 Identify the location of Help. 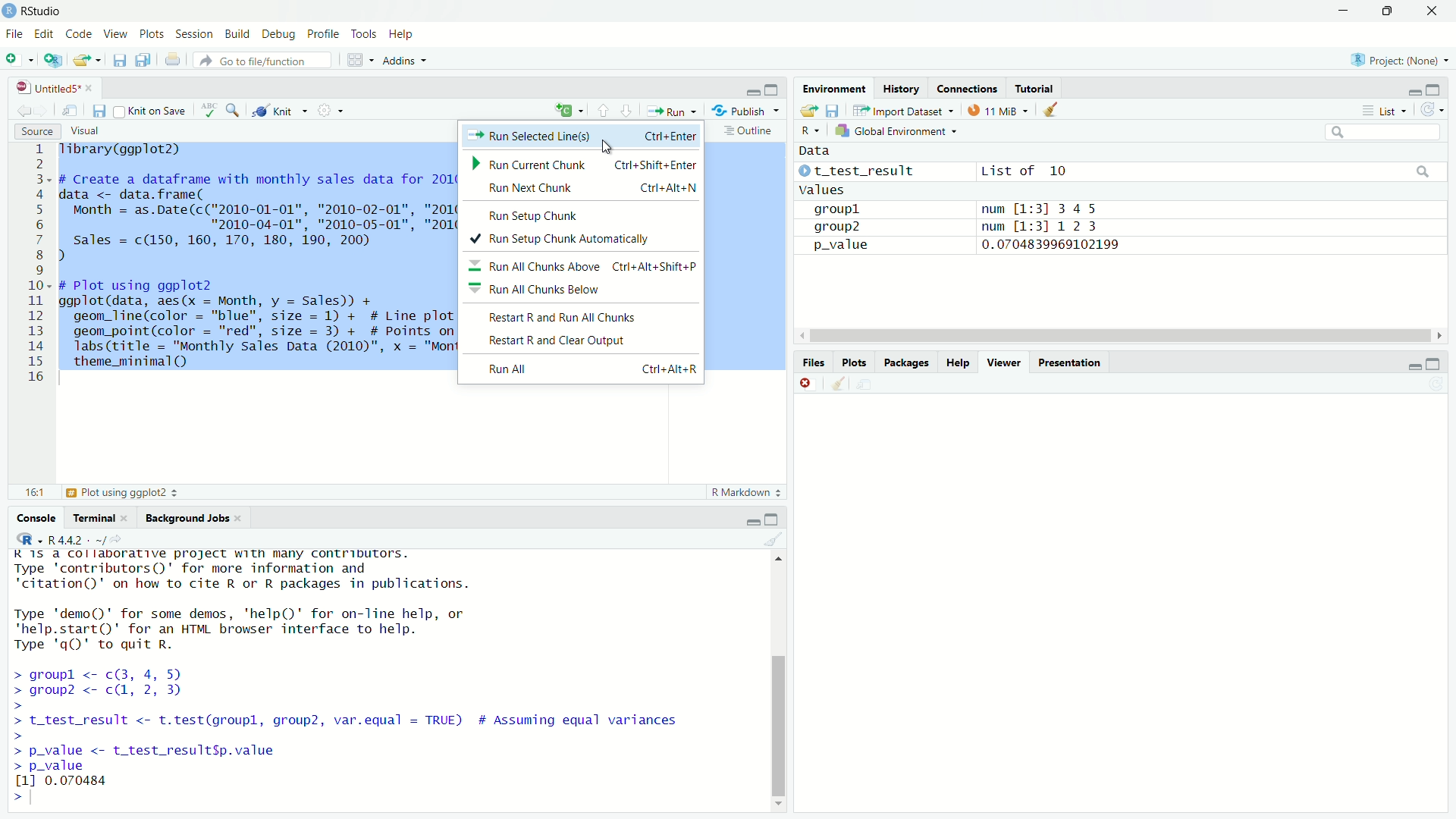
(957, 362).